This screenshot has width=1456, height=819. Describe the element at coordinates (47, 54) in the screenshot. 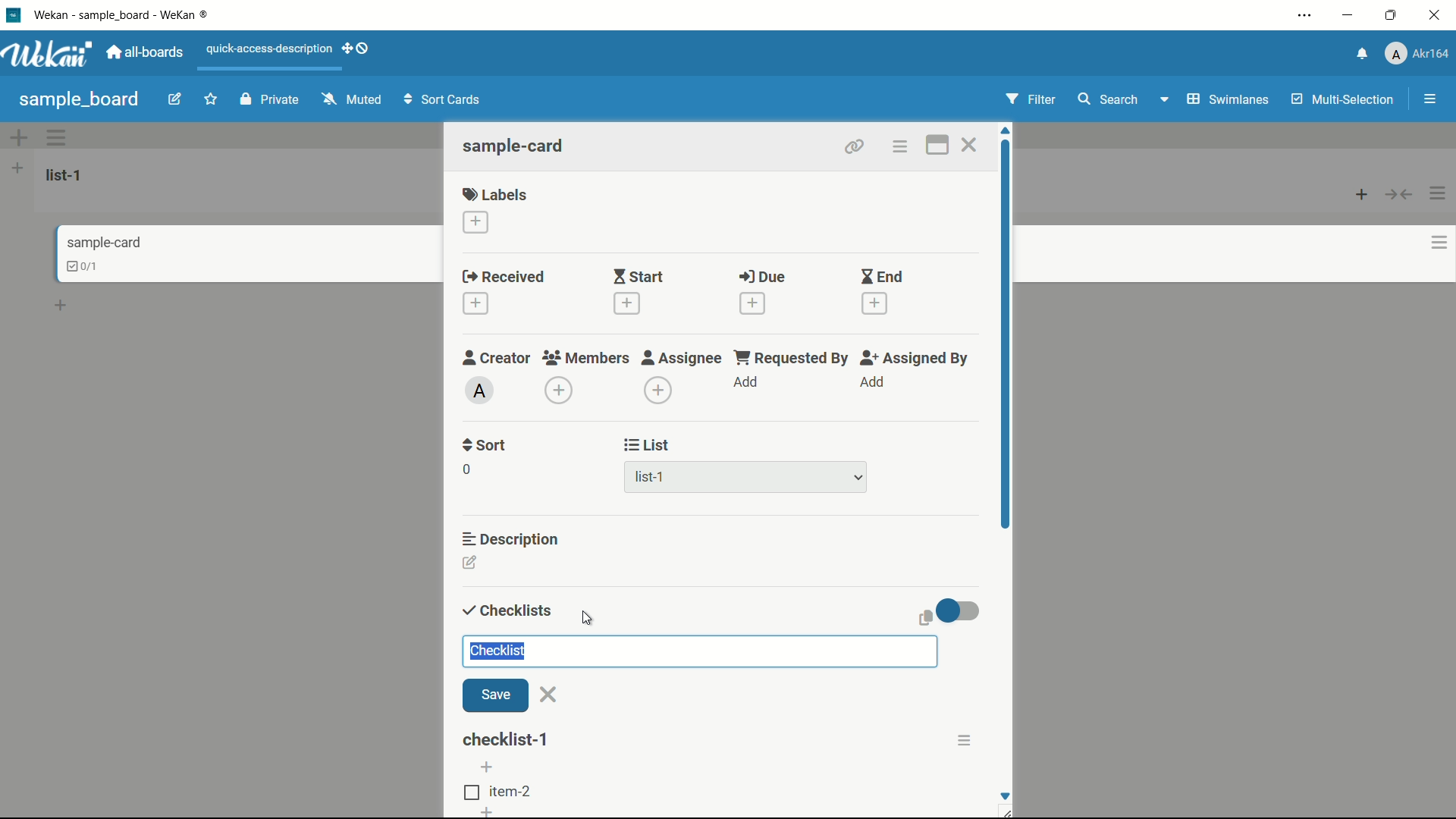

I see `app logo` at that location.